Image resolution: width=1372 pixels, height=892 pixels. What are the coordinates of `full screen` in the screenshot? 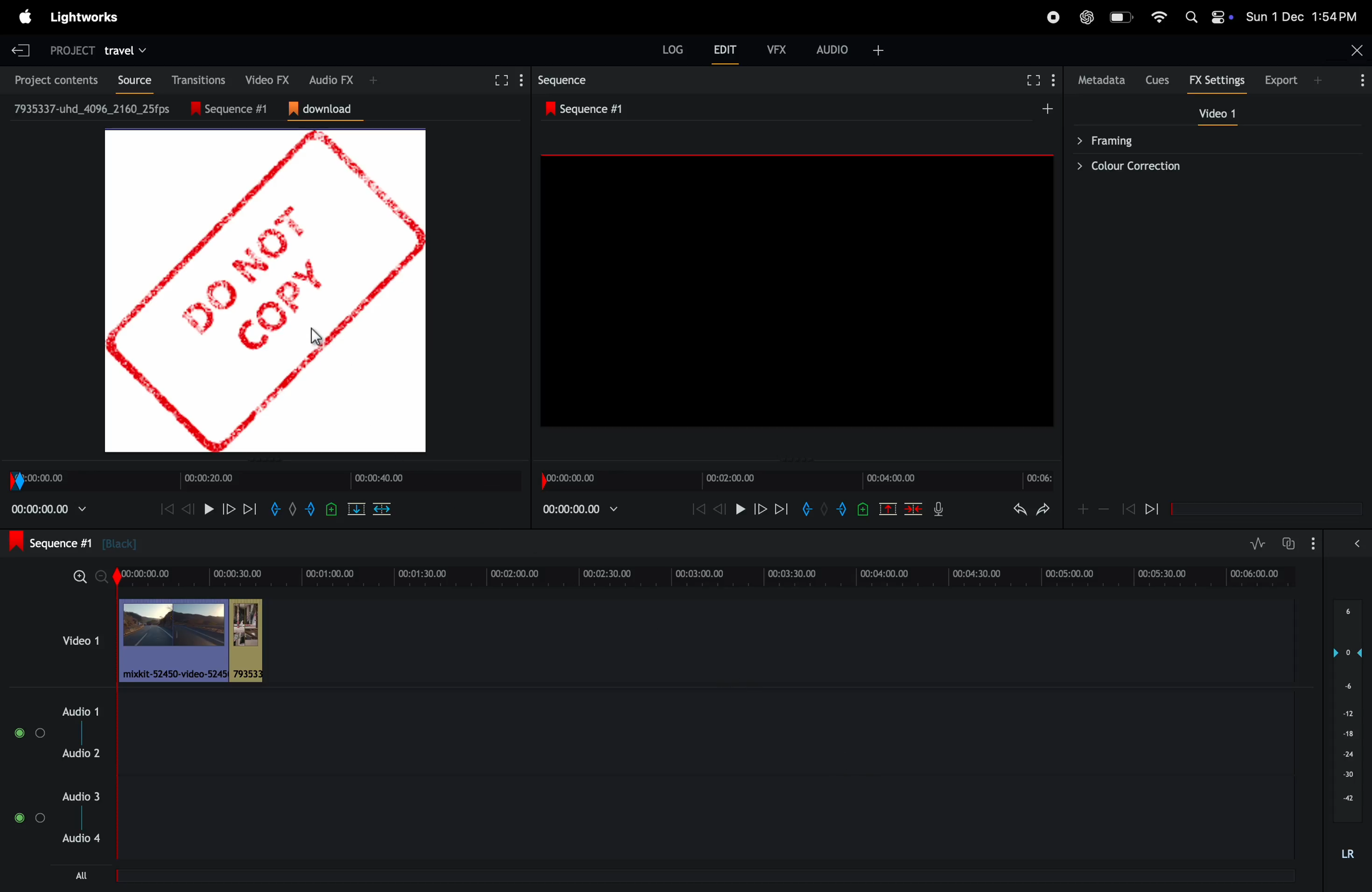 It's located at (1034, 80).